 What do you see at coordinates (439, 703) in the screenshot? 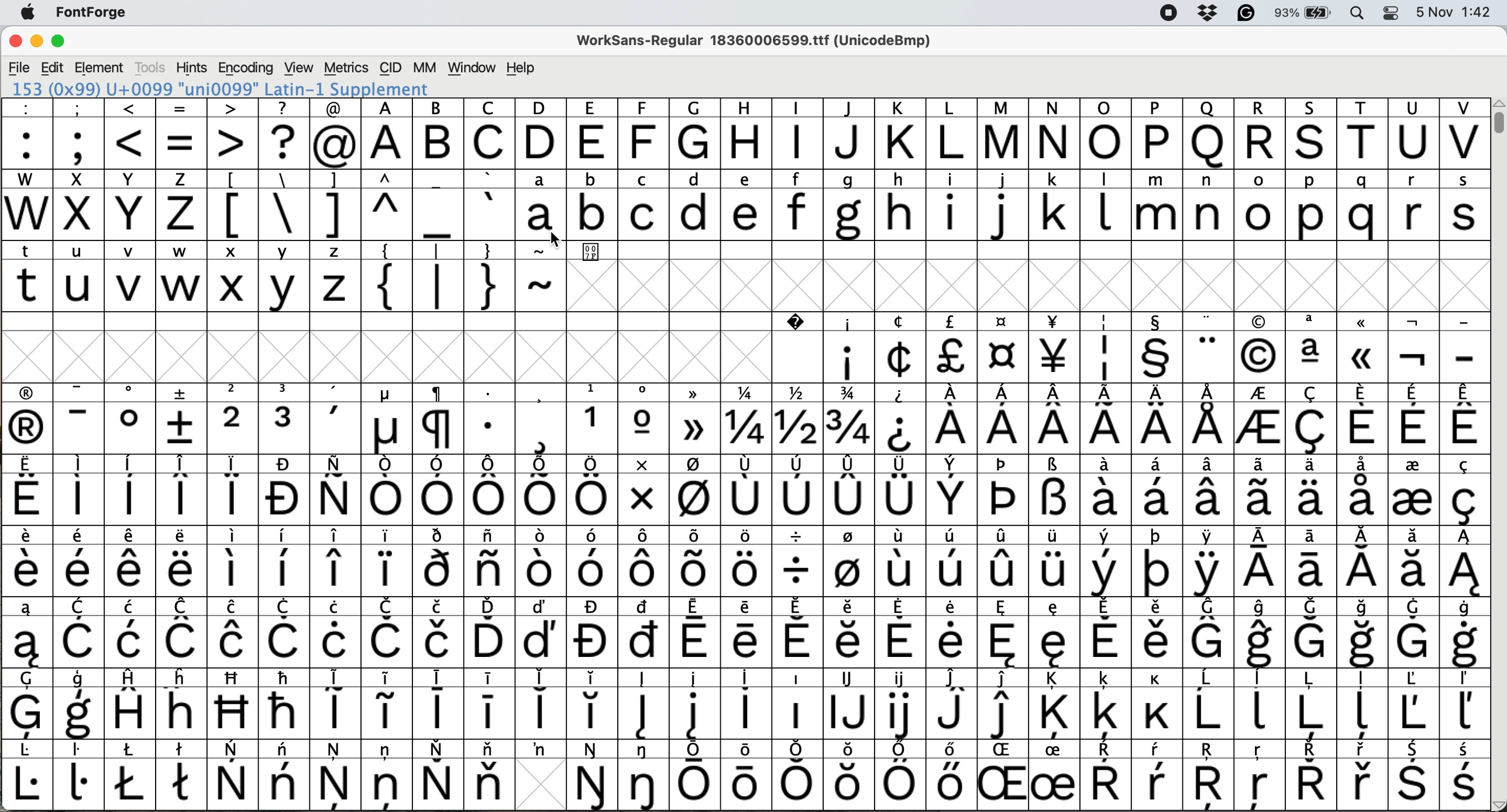
I see `symbol` at bounding box center [439, 703].